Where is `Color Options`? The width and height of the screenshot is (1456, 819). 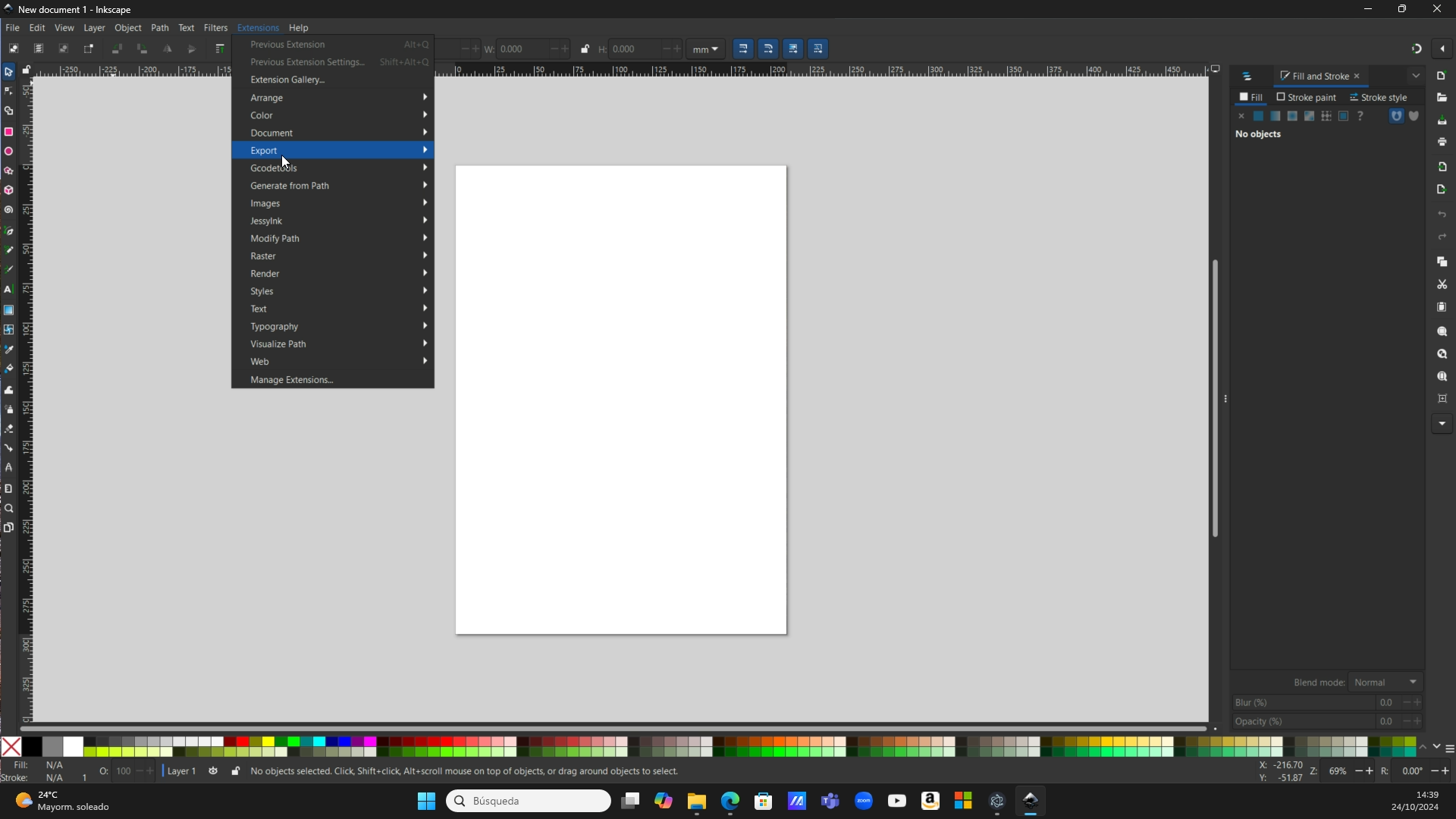
Color Options is located at coordinates (1327, 701).